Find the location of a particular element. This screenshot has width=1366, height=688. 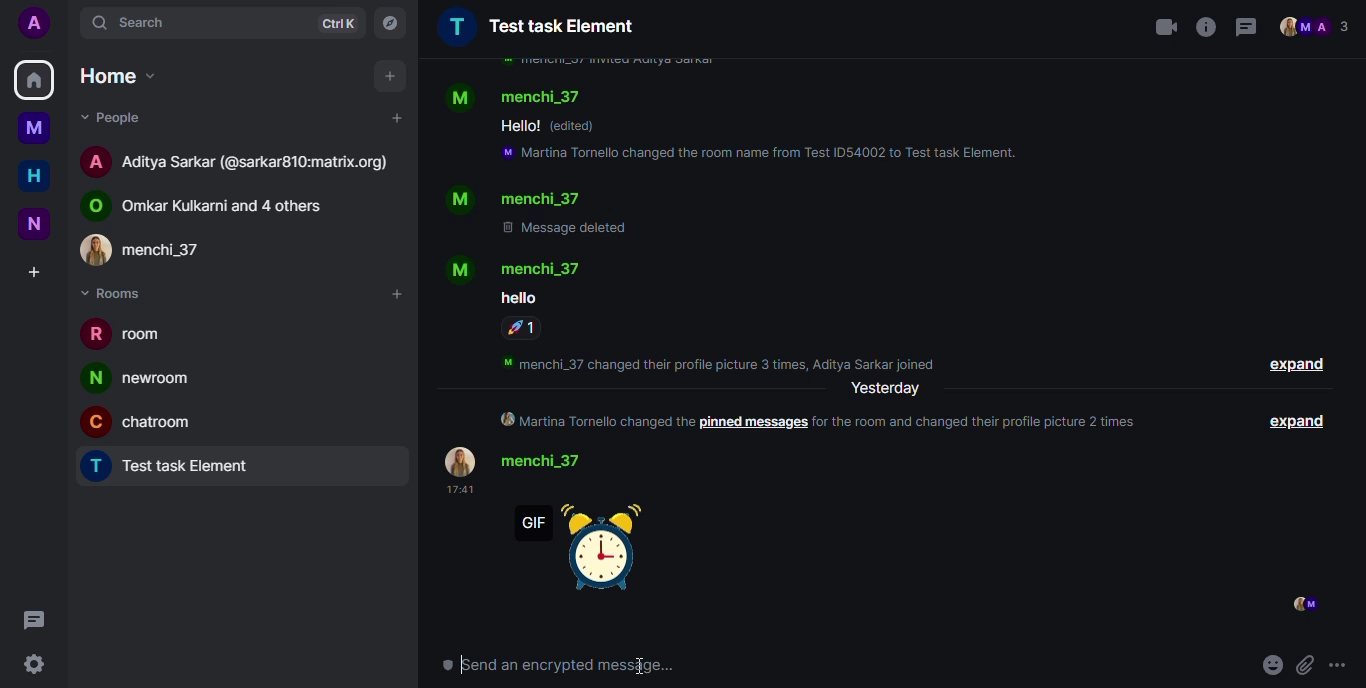

profile is located at coordinates (34, 24).